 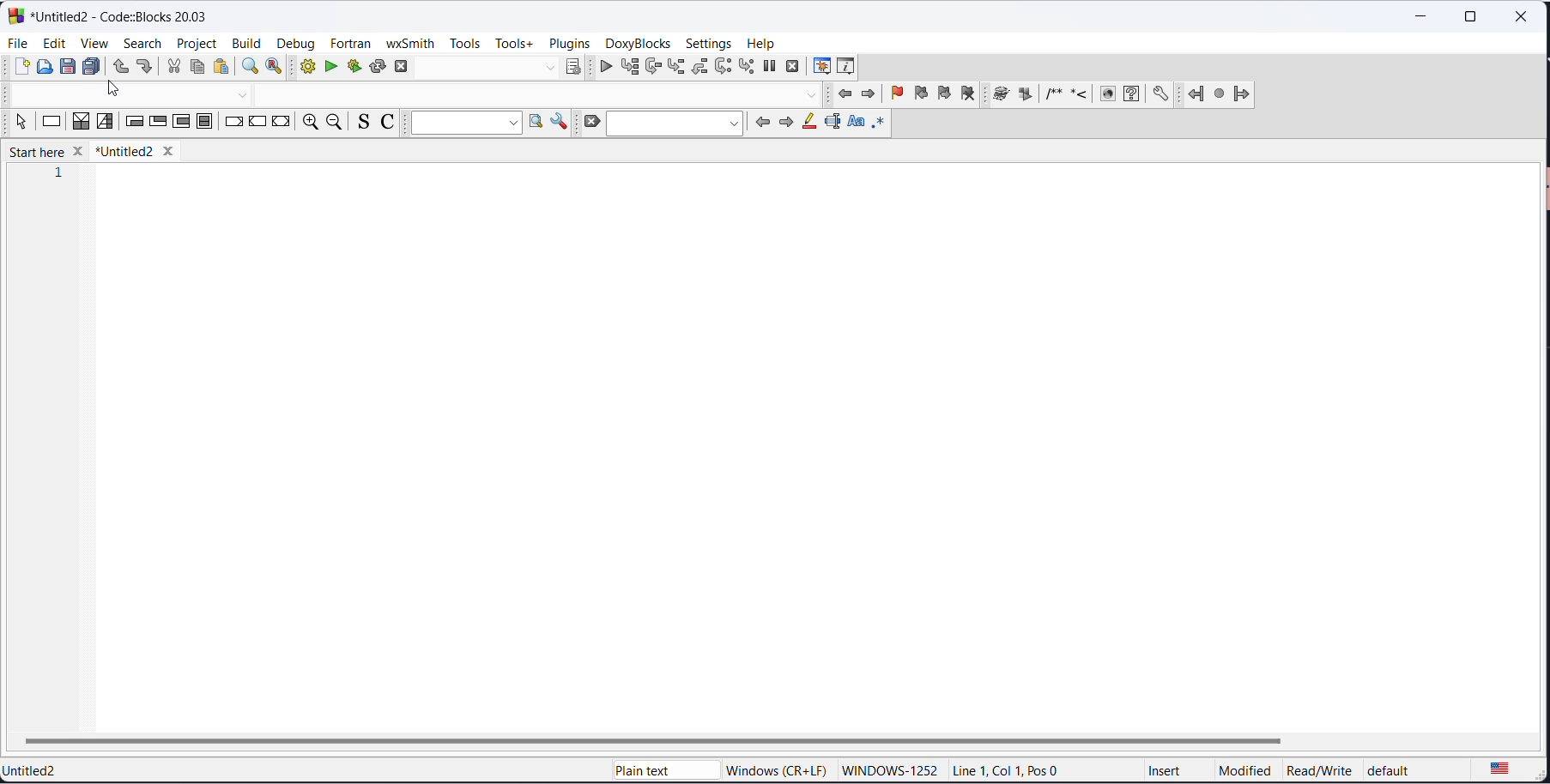 I want to click on next instruction, so click(x=721, y=68).